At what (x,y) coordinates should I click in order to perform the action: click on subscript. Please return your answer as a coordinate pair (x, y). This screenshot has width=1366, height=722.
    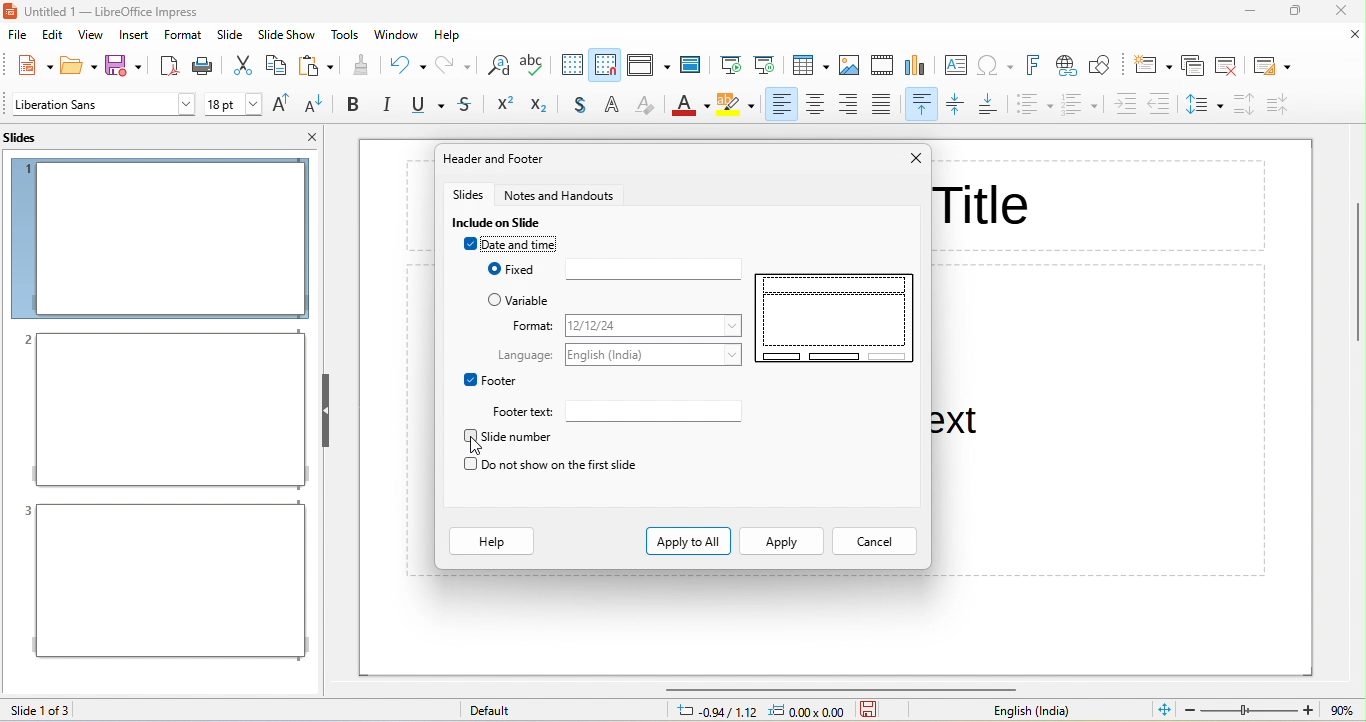
    Looking at the image, I should click on (545, 106).